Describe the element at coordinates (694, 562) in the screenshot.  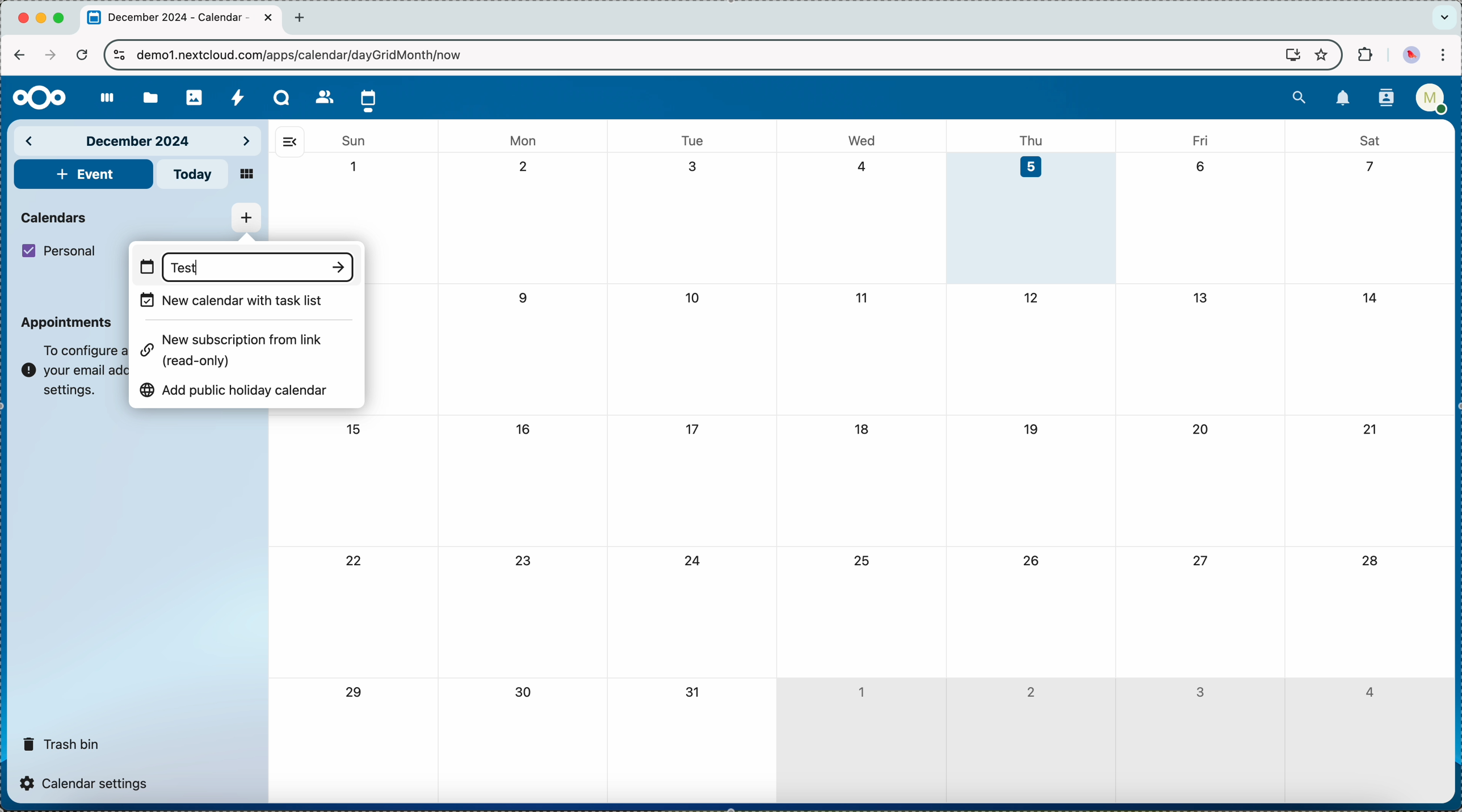
I see `24` at that location.